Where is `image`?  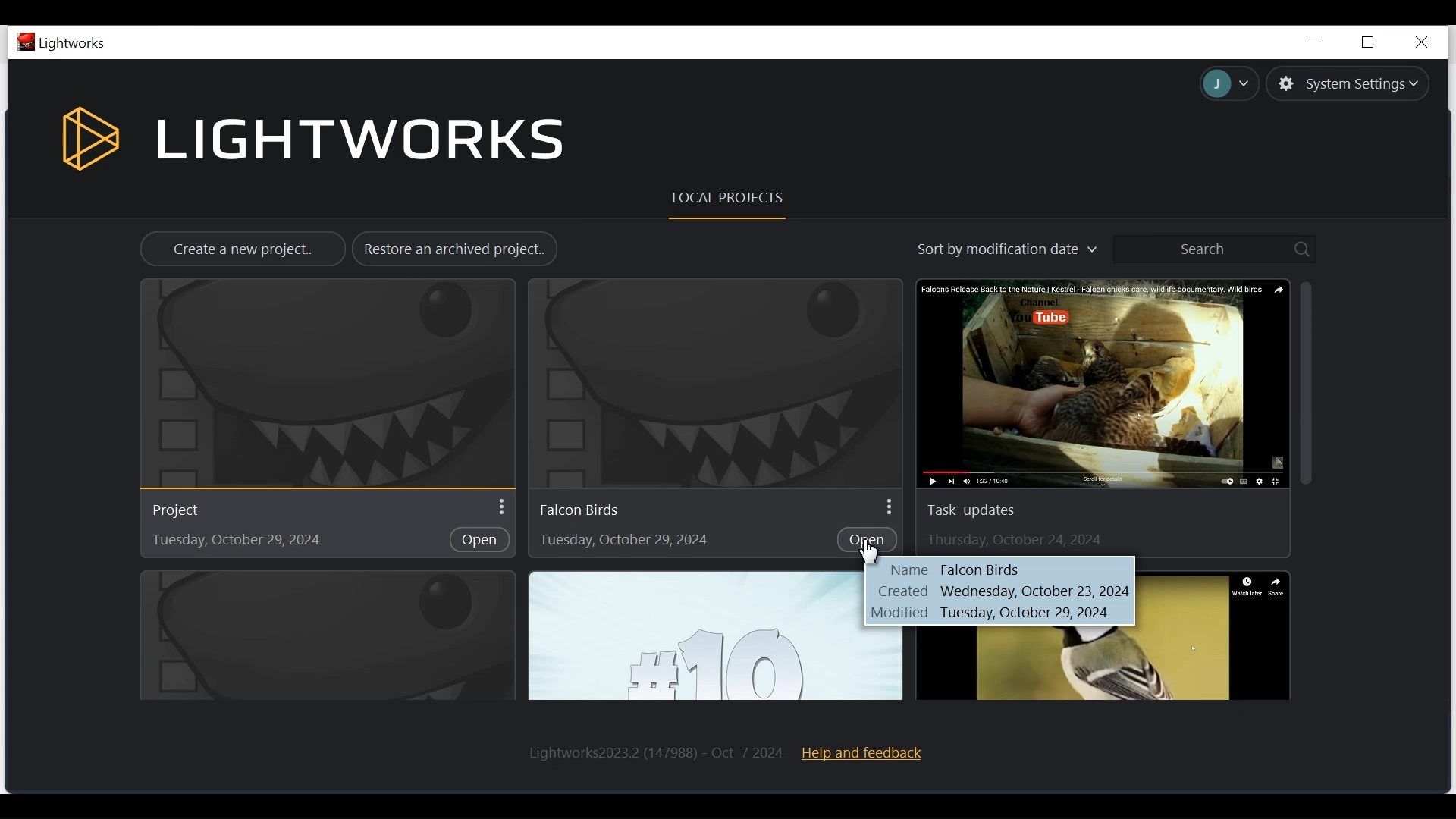 image is located at coordinates (711, 382).